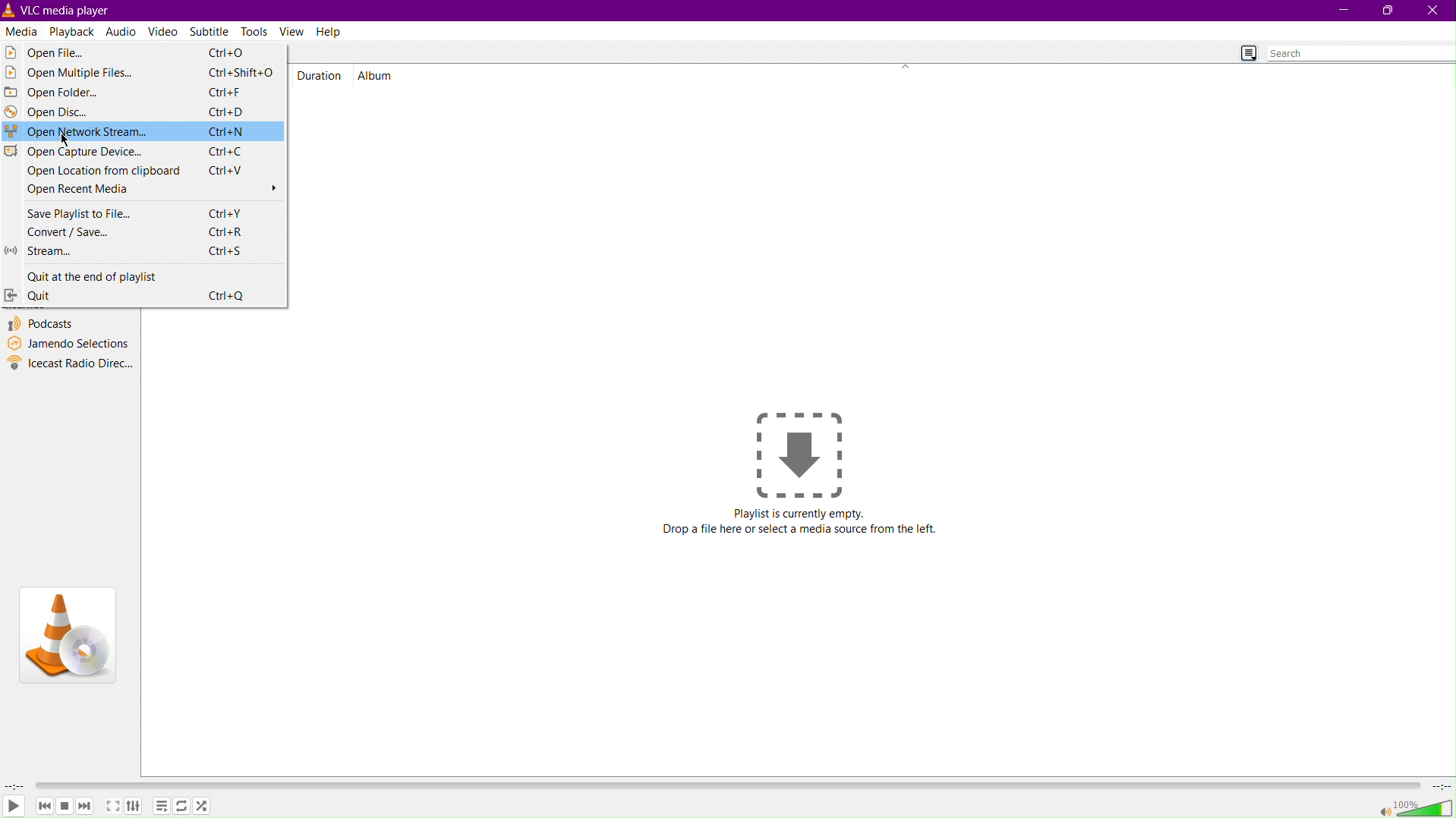 The width and height of the screenshot is (1456, 818). What do you see at coordinates (224, 251) in the screenshot?
I see `Ctrl+S` at bounding box center [224, 251].